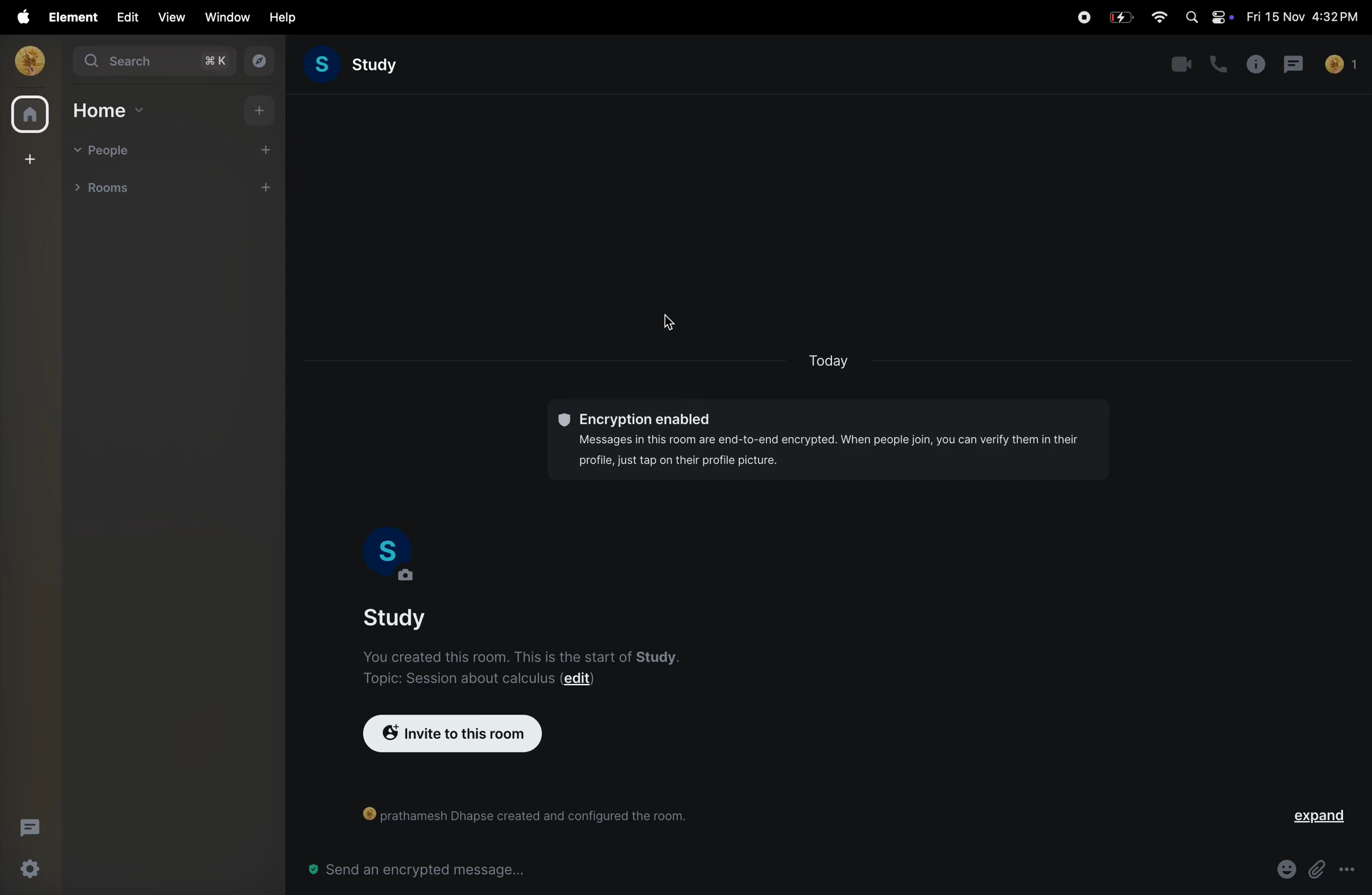 The width and height of the screenshot is (1372, 895). Describe the element at coordinates (1324, 817) in the screenshot. I see `expand` at that location.